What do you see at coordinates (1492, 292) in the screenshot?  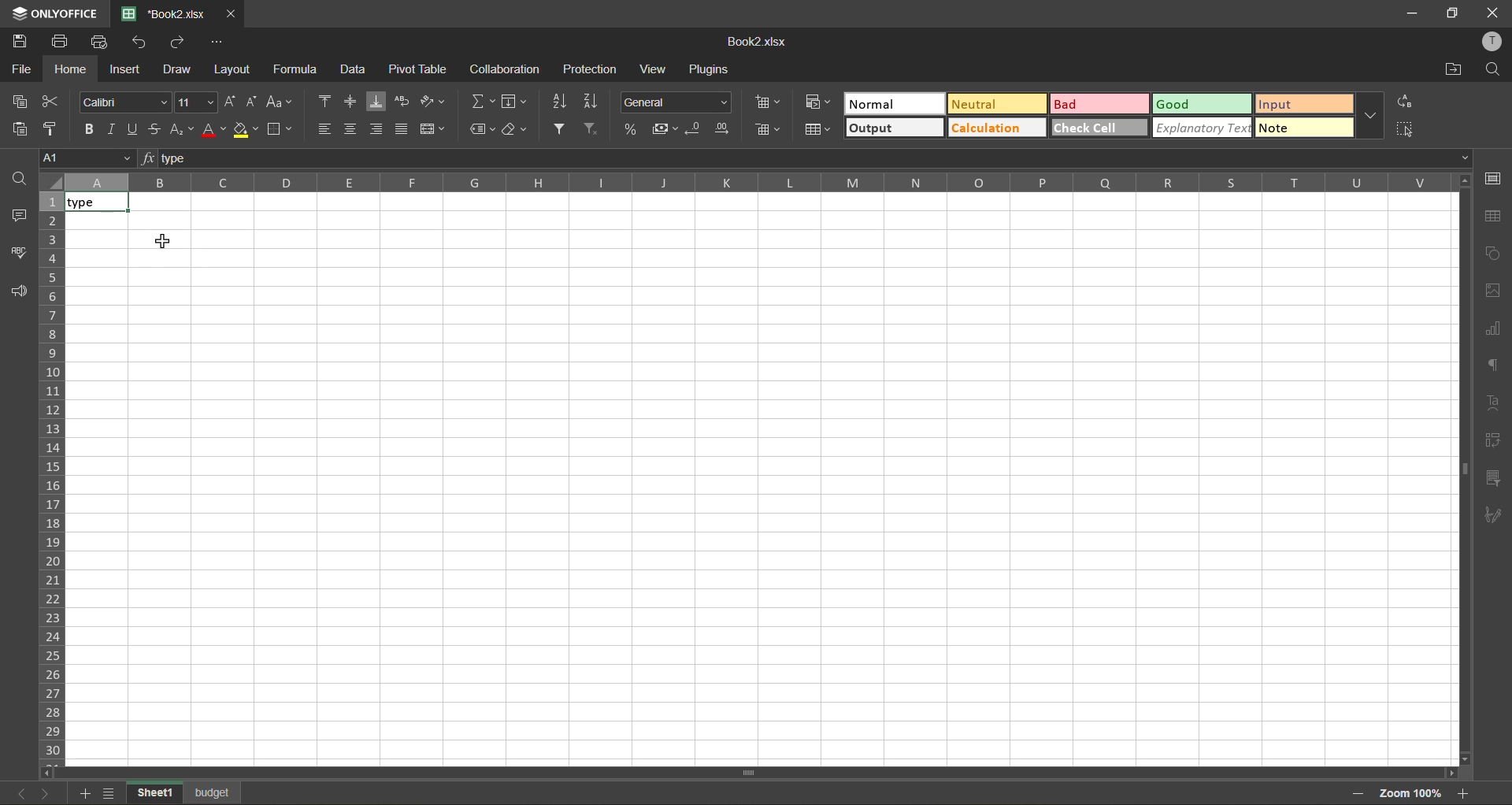 I see `images` at bounding box center [1492, 292].